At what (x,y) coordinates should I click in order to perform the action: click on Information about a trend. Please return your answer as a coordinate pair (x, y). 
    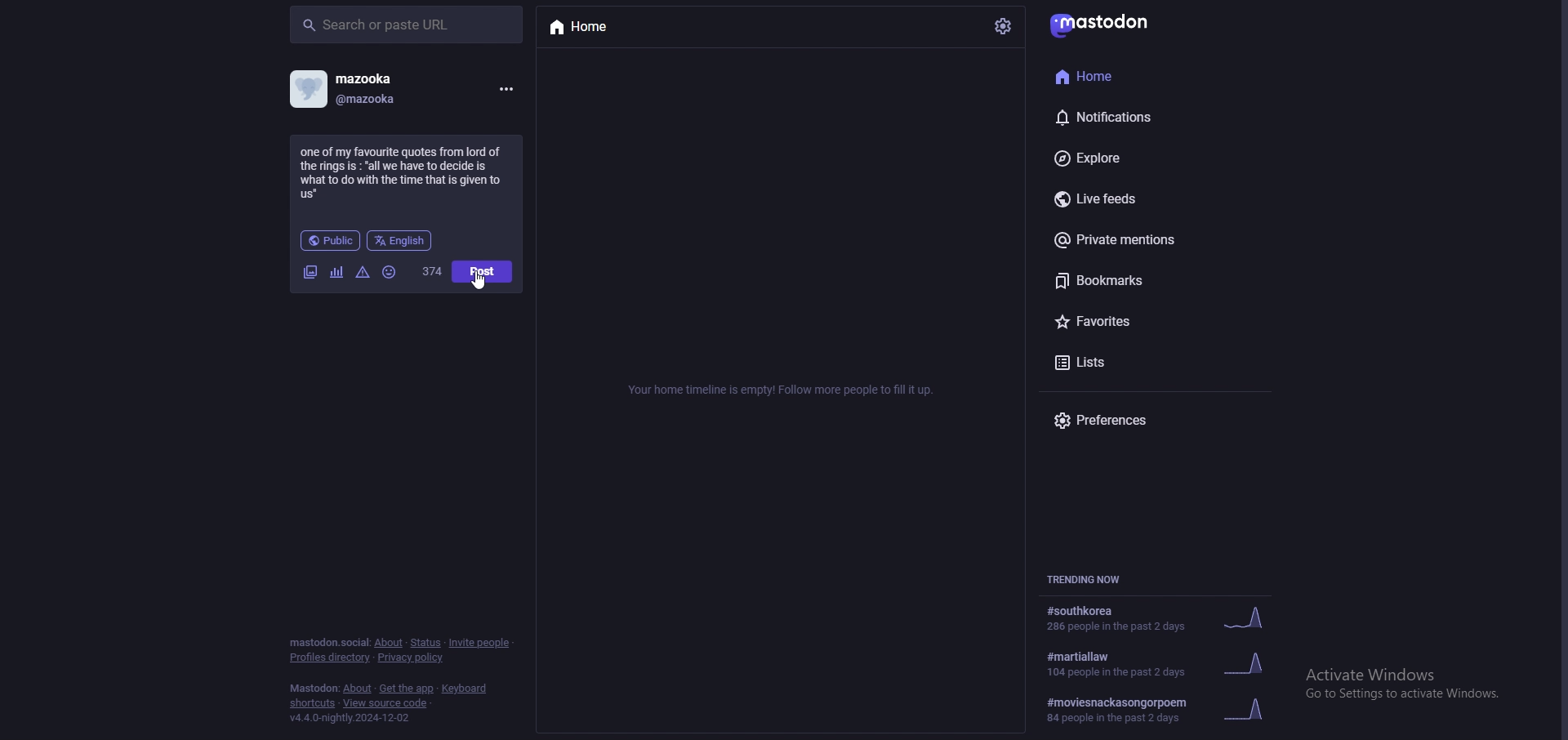
    Looking at the image, I should click on (1166, 712).